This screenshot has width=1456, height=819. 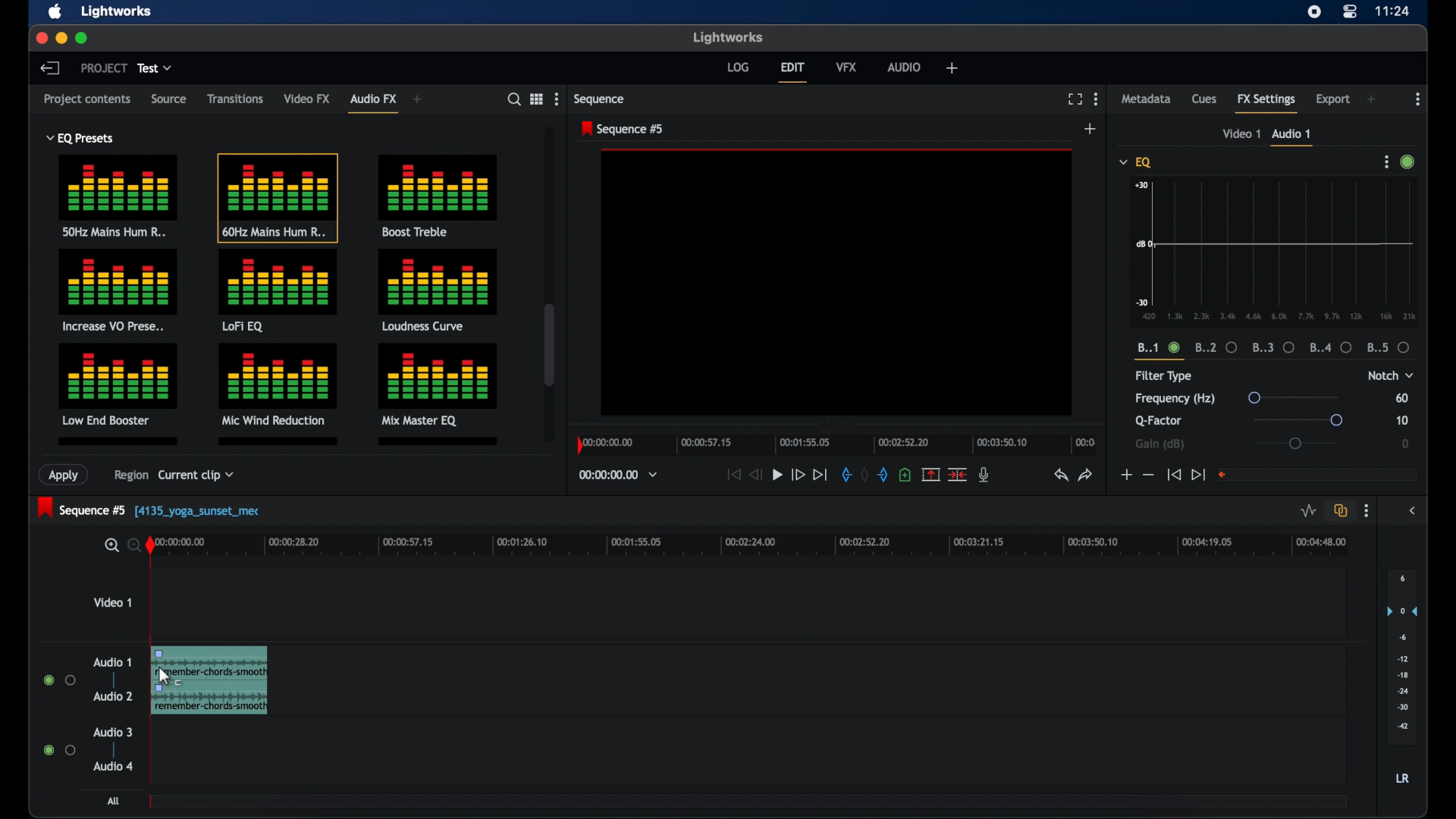 What do you see at coordinates (1272, 350) in the screenshot?
I see `measures` at bounding box center [1272, 350].